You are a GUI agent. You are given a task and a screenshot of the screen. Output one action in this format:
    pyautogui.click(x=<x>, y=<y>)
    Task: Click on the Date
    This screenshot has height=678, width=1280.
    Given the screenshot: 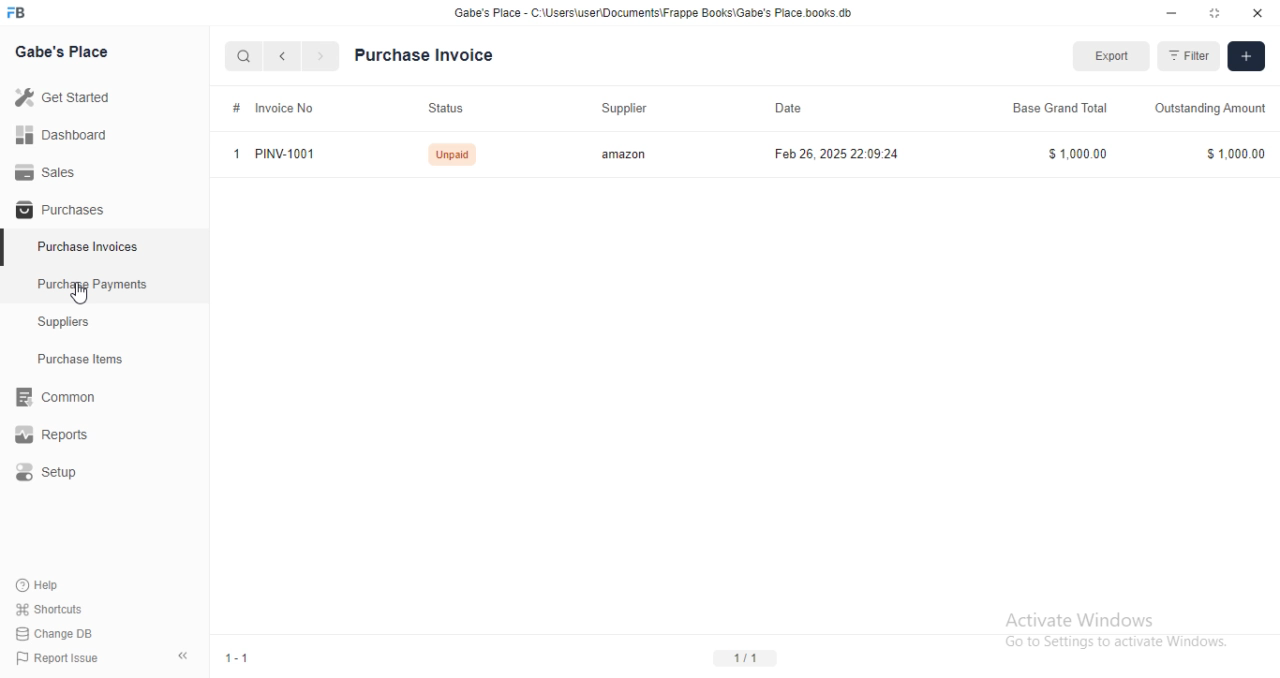 What is the action you would take?
    pyautogui.click(x=788, y=108)
    